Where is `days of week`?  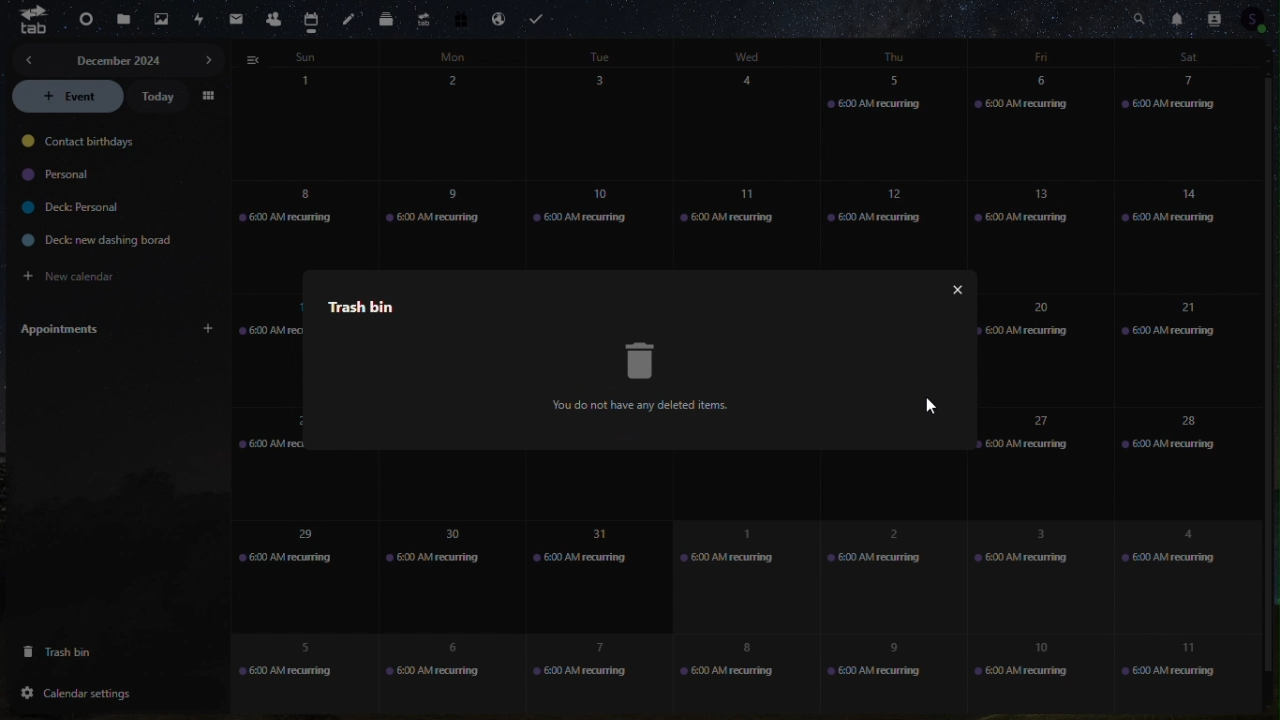 days of week is located at coordinates (747, 55).